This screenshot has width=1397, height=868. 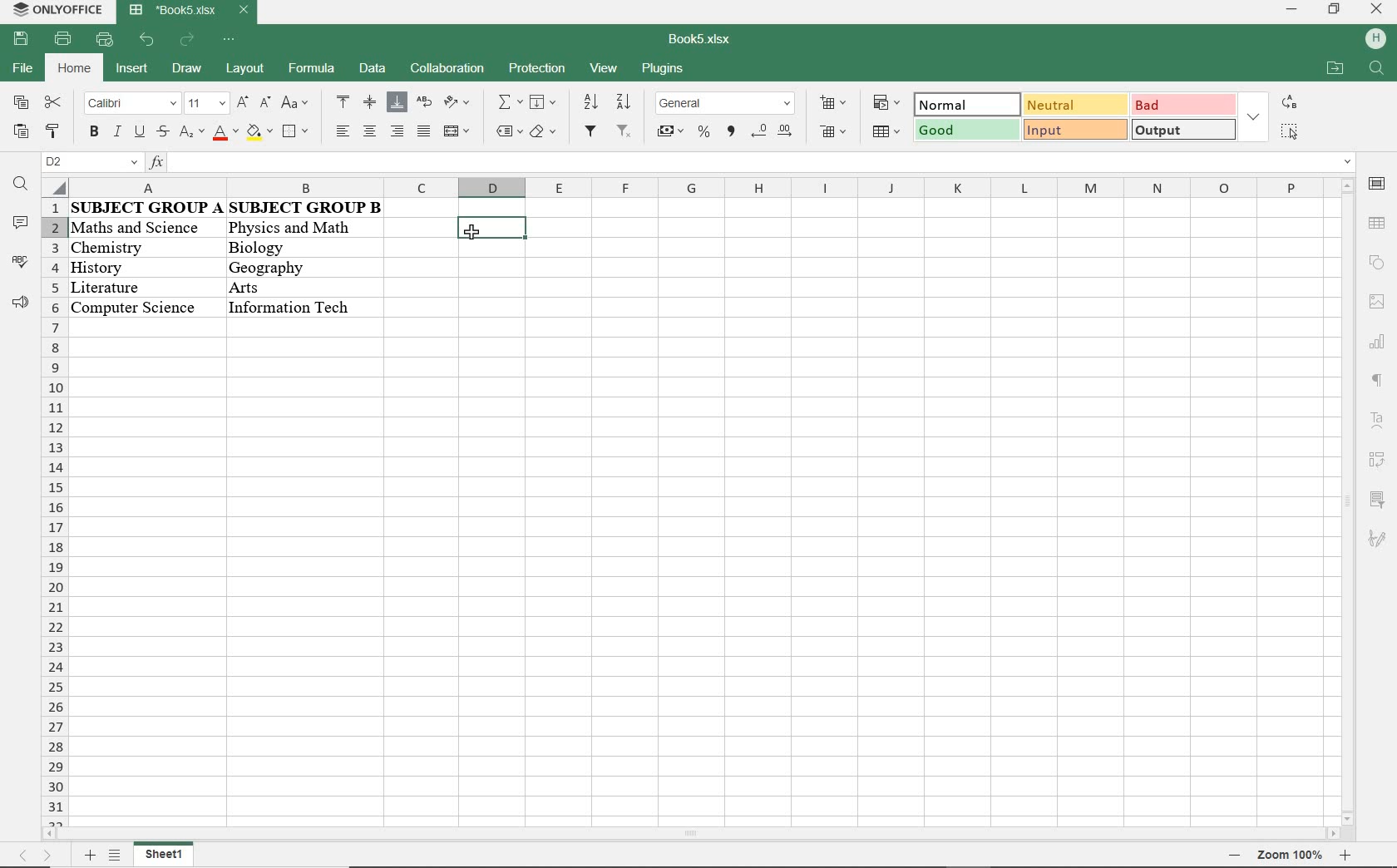 What do you see at coordinates (284, 267) in the screenshot?
I see `geography` at bounding box center [284, 267].